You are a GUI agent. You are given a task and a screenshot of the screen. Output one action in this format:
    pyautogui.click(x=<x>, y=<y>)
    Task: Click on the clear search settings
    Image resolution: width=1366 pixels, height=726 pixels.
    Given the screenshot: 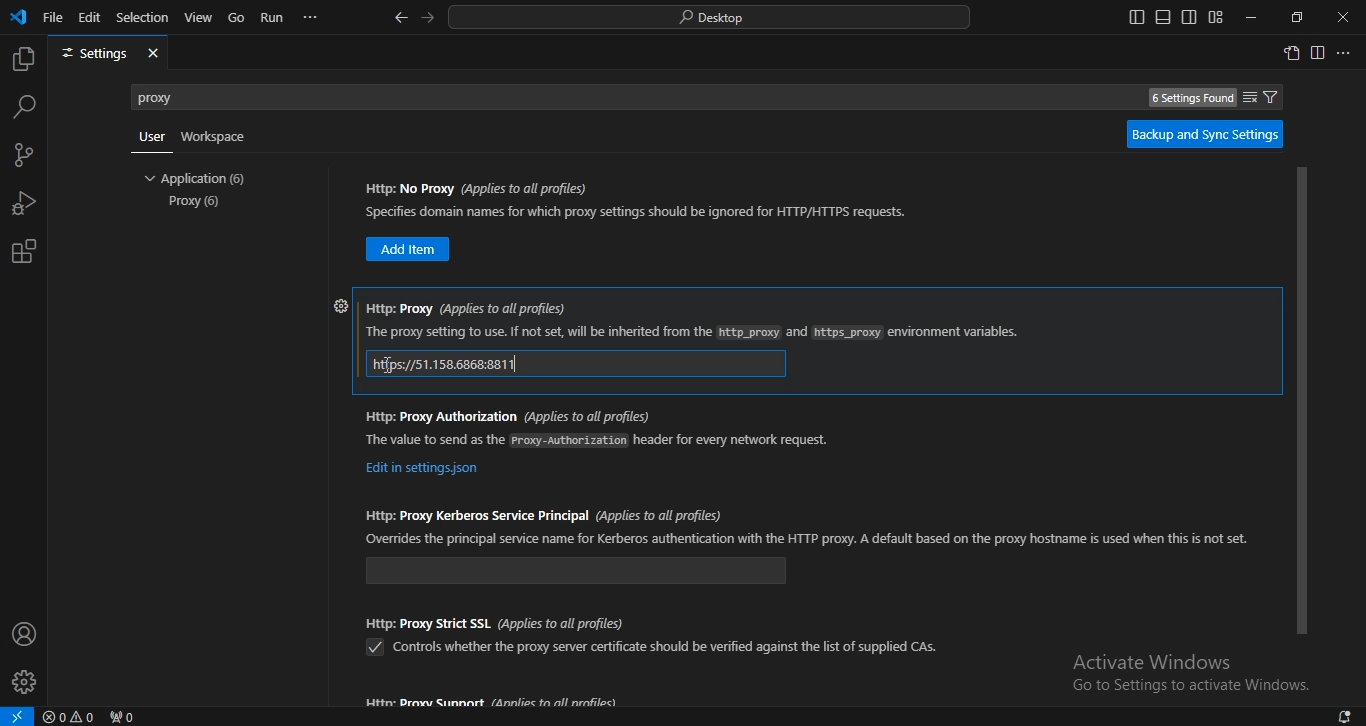 What is the action you would take?
    pyautogui.click(x=1248, y=95)
    